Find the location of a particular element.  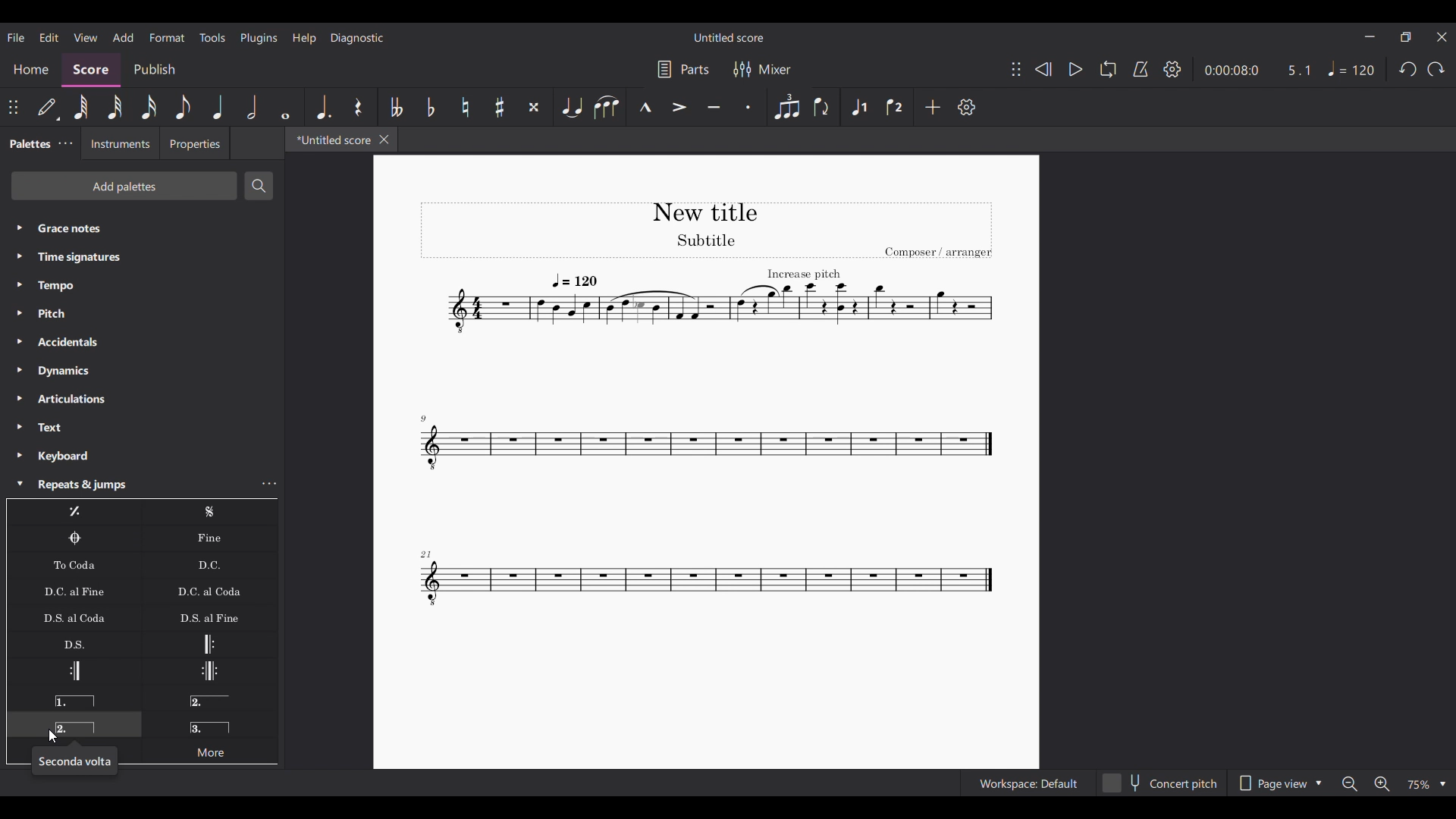

Redo is located at coordinates (1436, 69).